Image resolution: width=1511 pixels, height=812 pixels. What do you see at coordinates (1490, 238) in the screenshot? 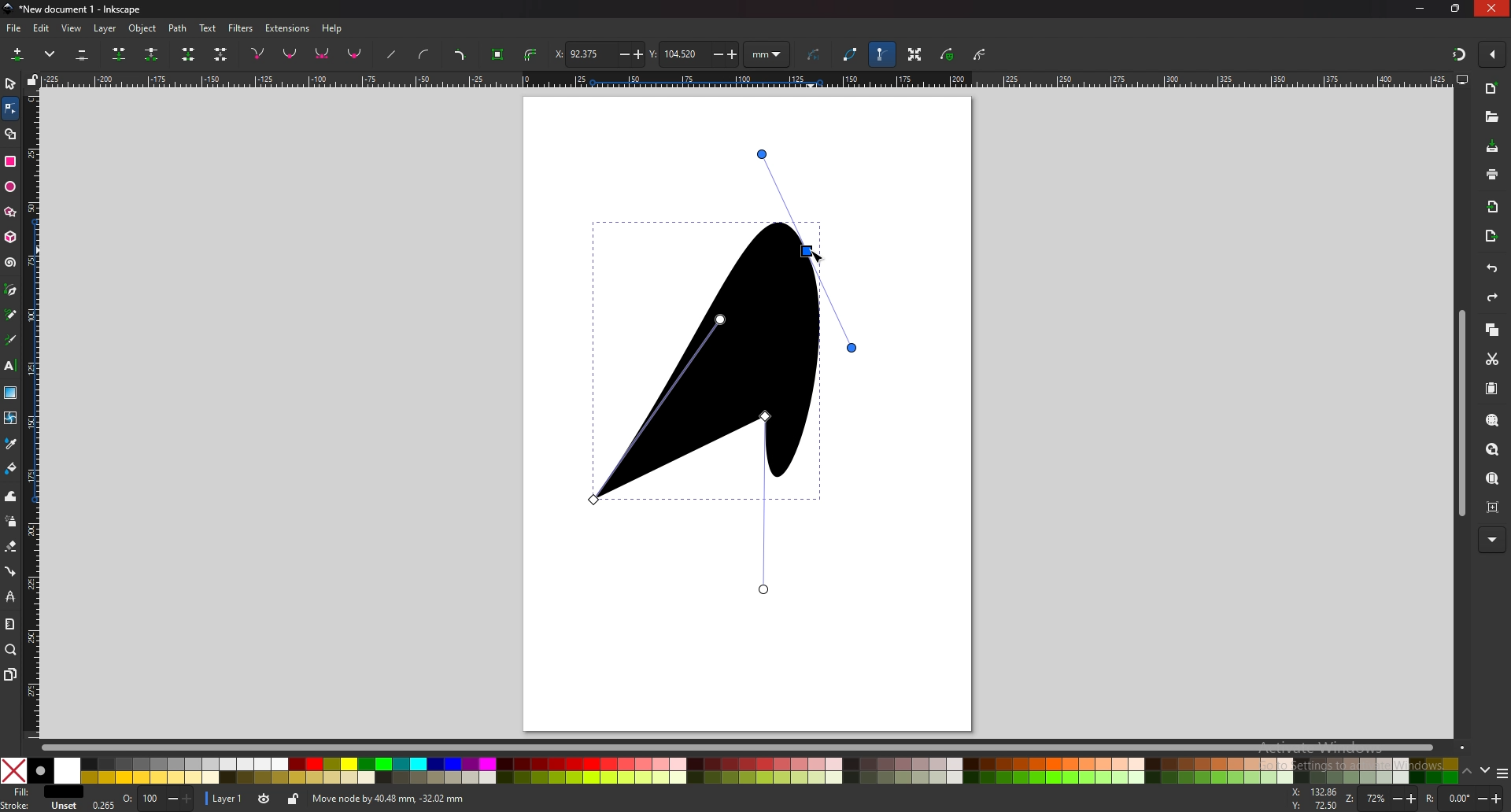
I see `export` at bounding box center [1490, 238].